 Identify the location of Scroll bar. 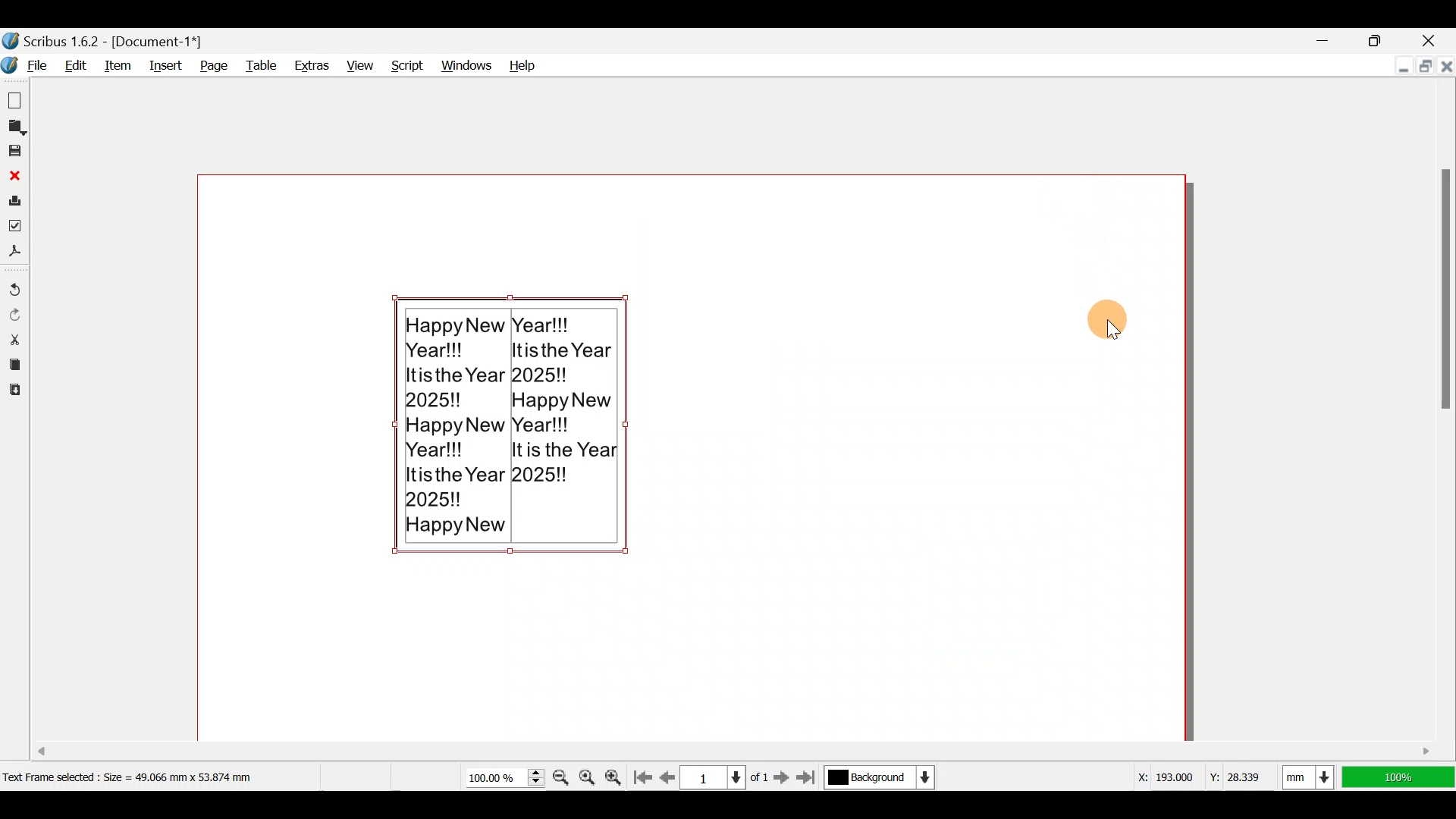
(1441, 418).